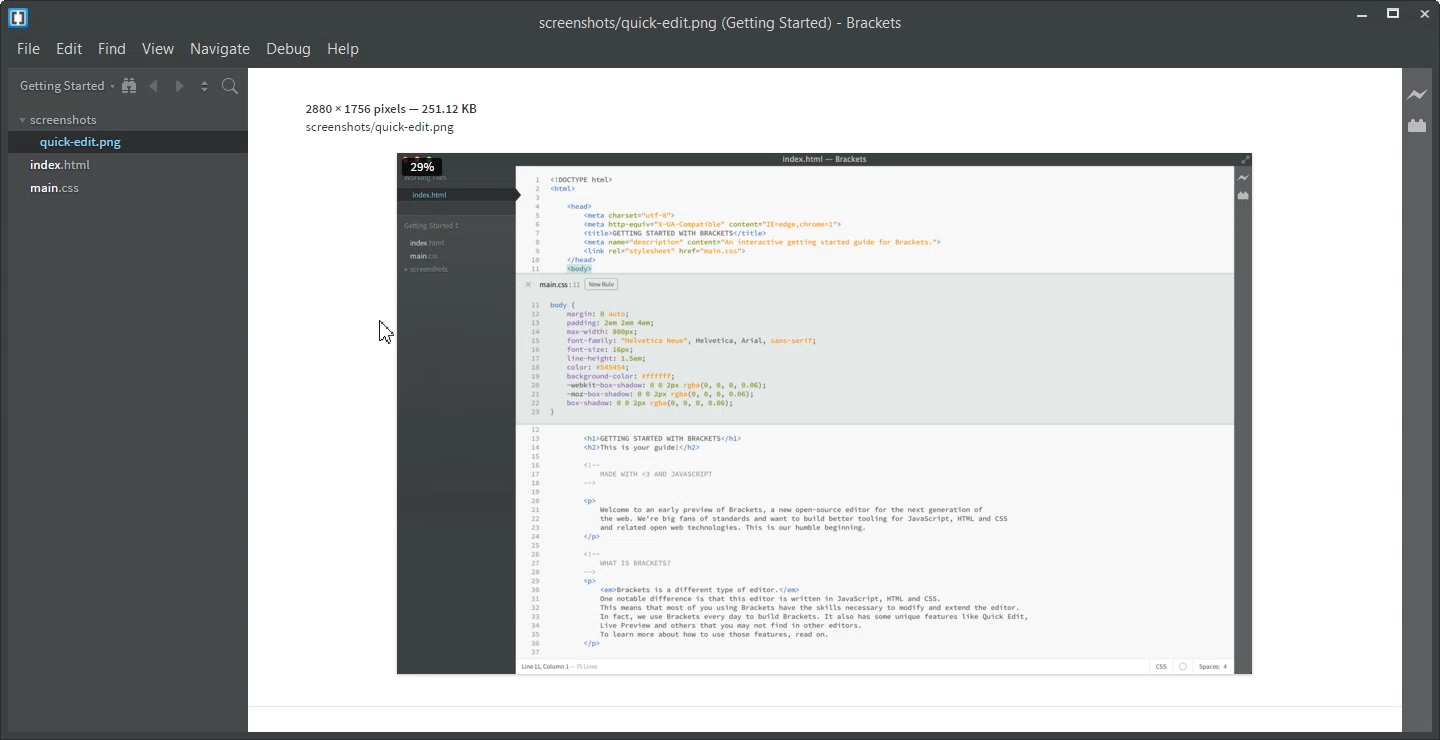 The height and width of the screenshot is (740, 1440). I want to click on Live Preview, so click(1418, 93).